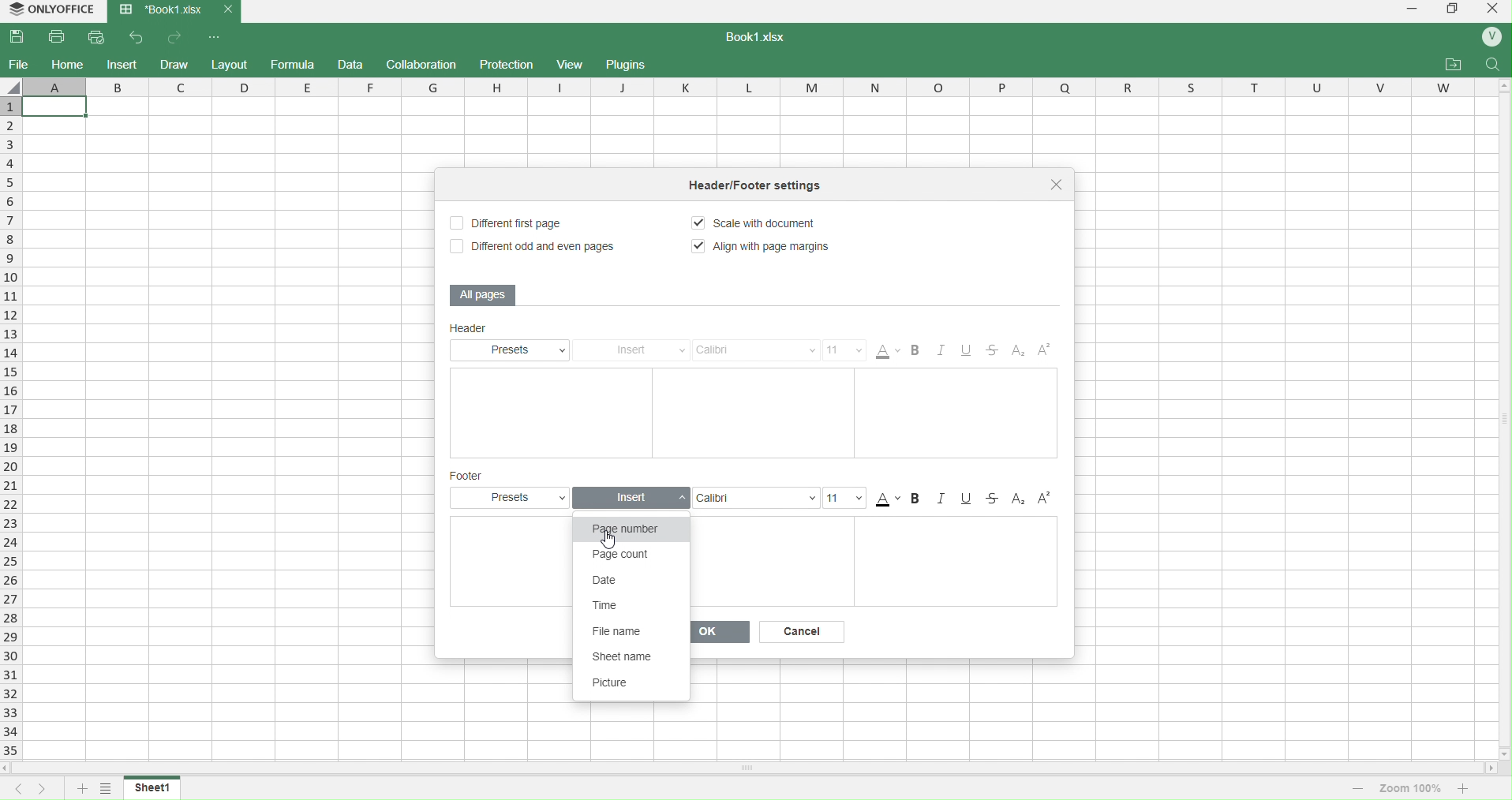 This screenshot has width=1512, height=800. Describe the element at coordinates (631, 555) in the screenshot. I see `Page count` at that location.